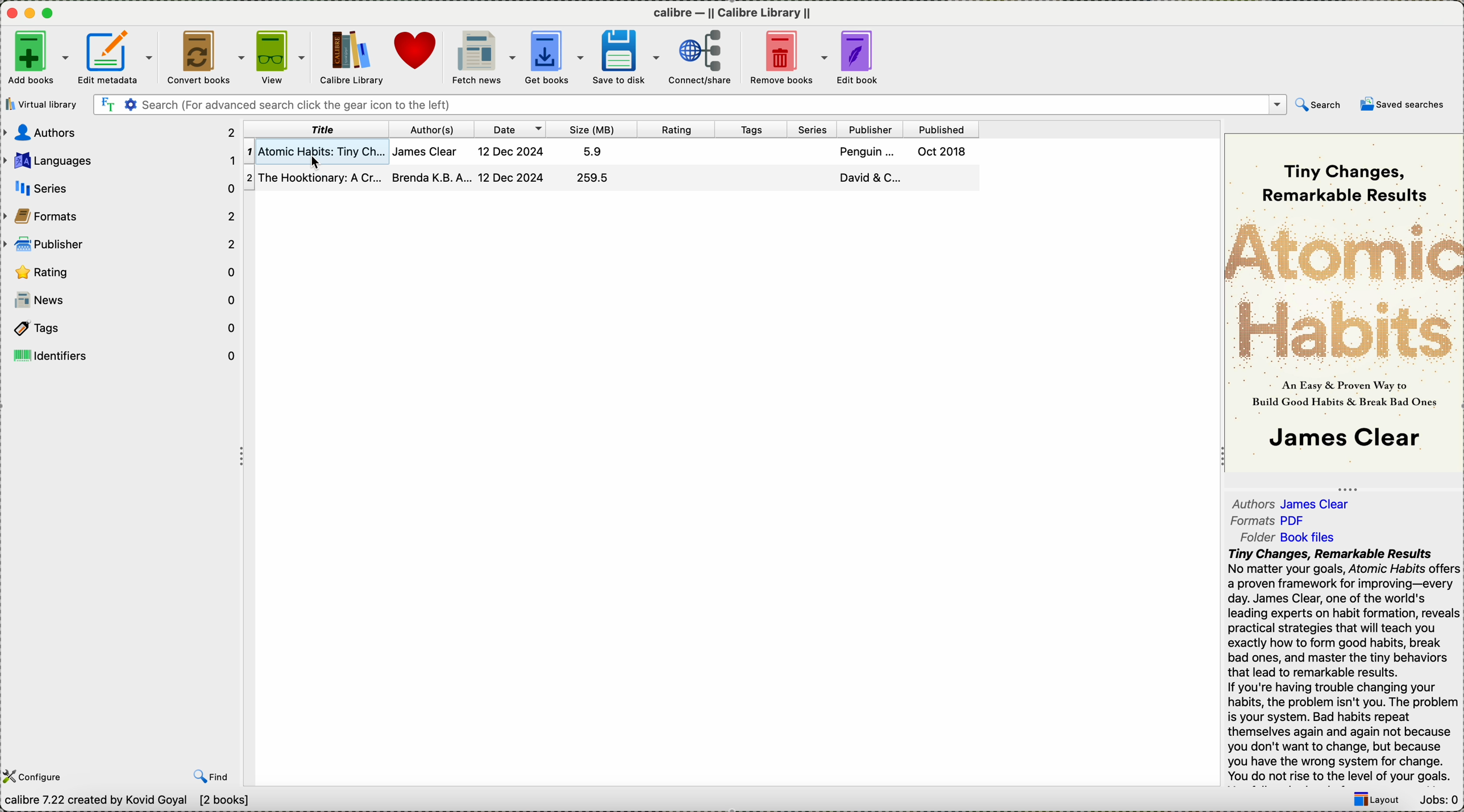  What do you see at coordinates (36, 776) in the screenshot?
I see `configure` at bounding box center [36, 776].